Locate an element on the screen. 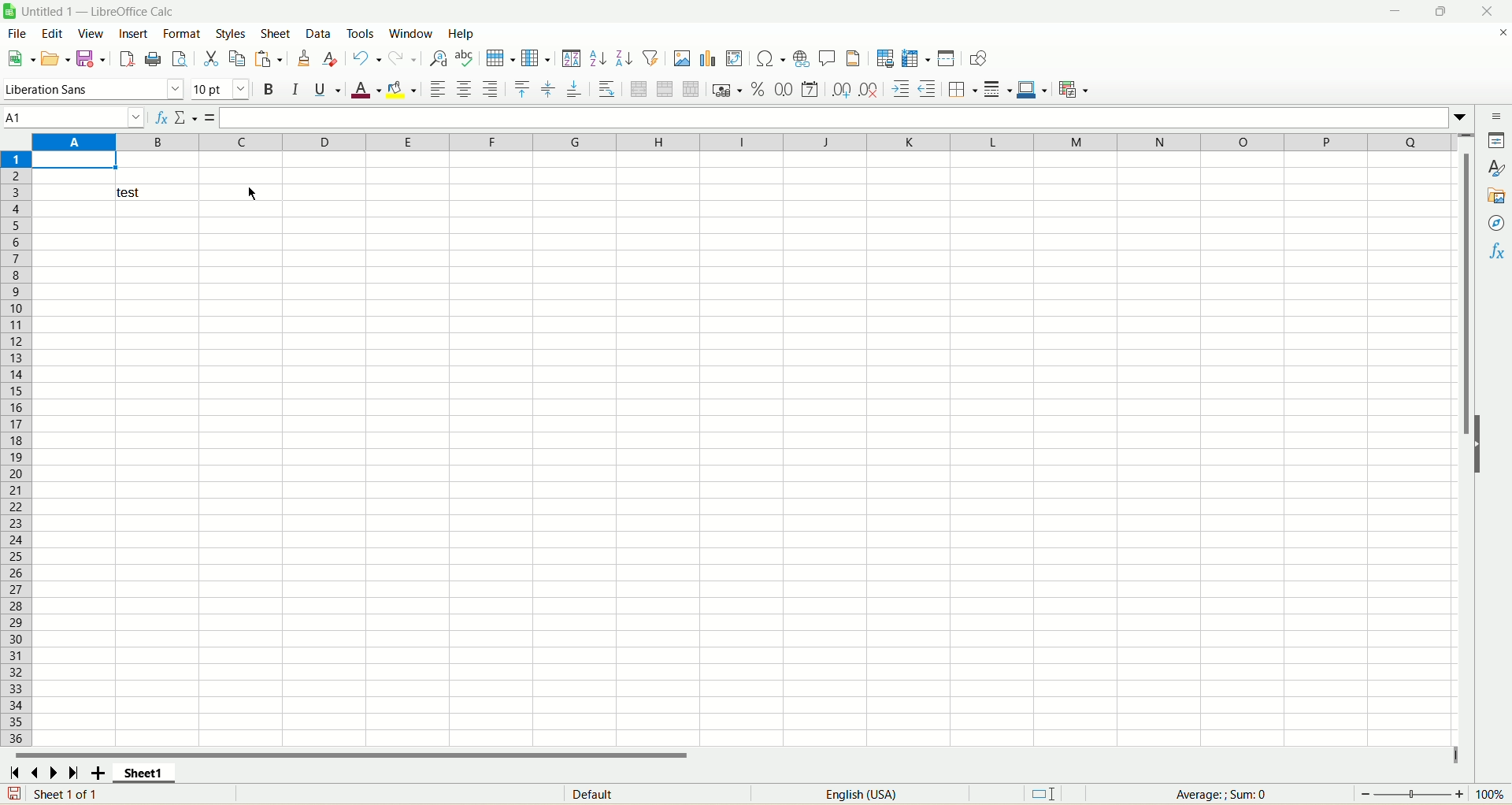 The height and width of the screenshot is (805, 1512). styles is located at coordinates (232, 33).